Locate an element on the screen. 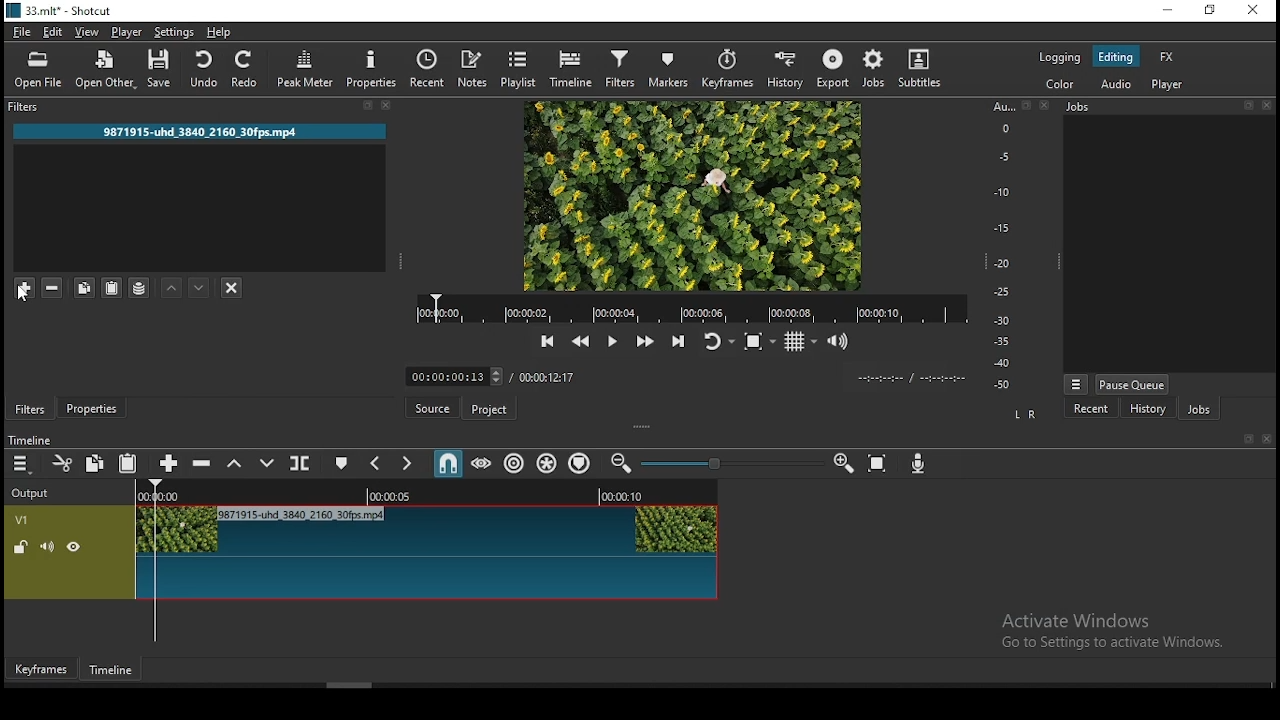  open other is located at coordinates (103, 72).